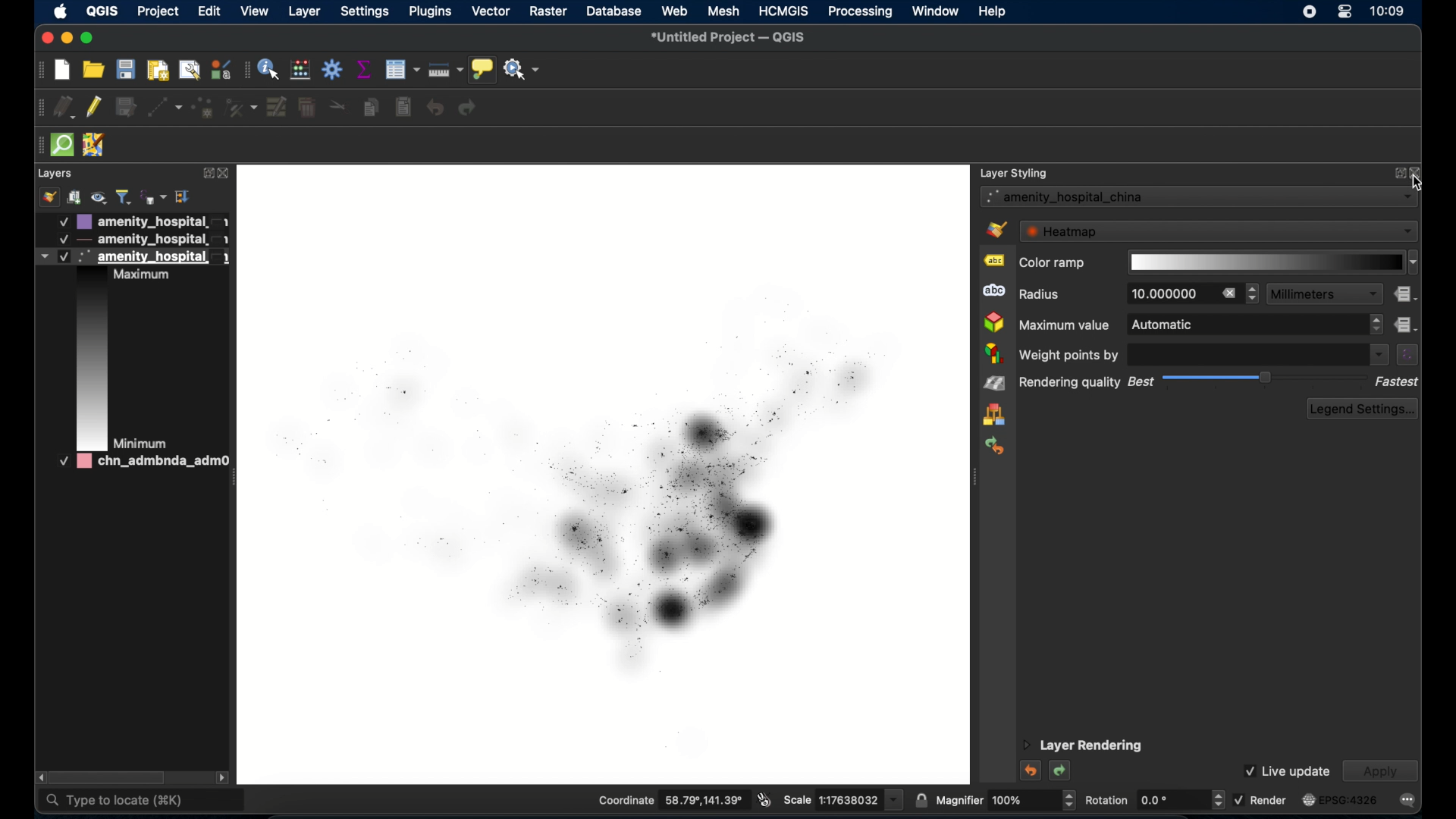  I want to click on weight points by, so click(1068, 354).